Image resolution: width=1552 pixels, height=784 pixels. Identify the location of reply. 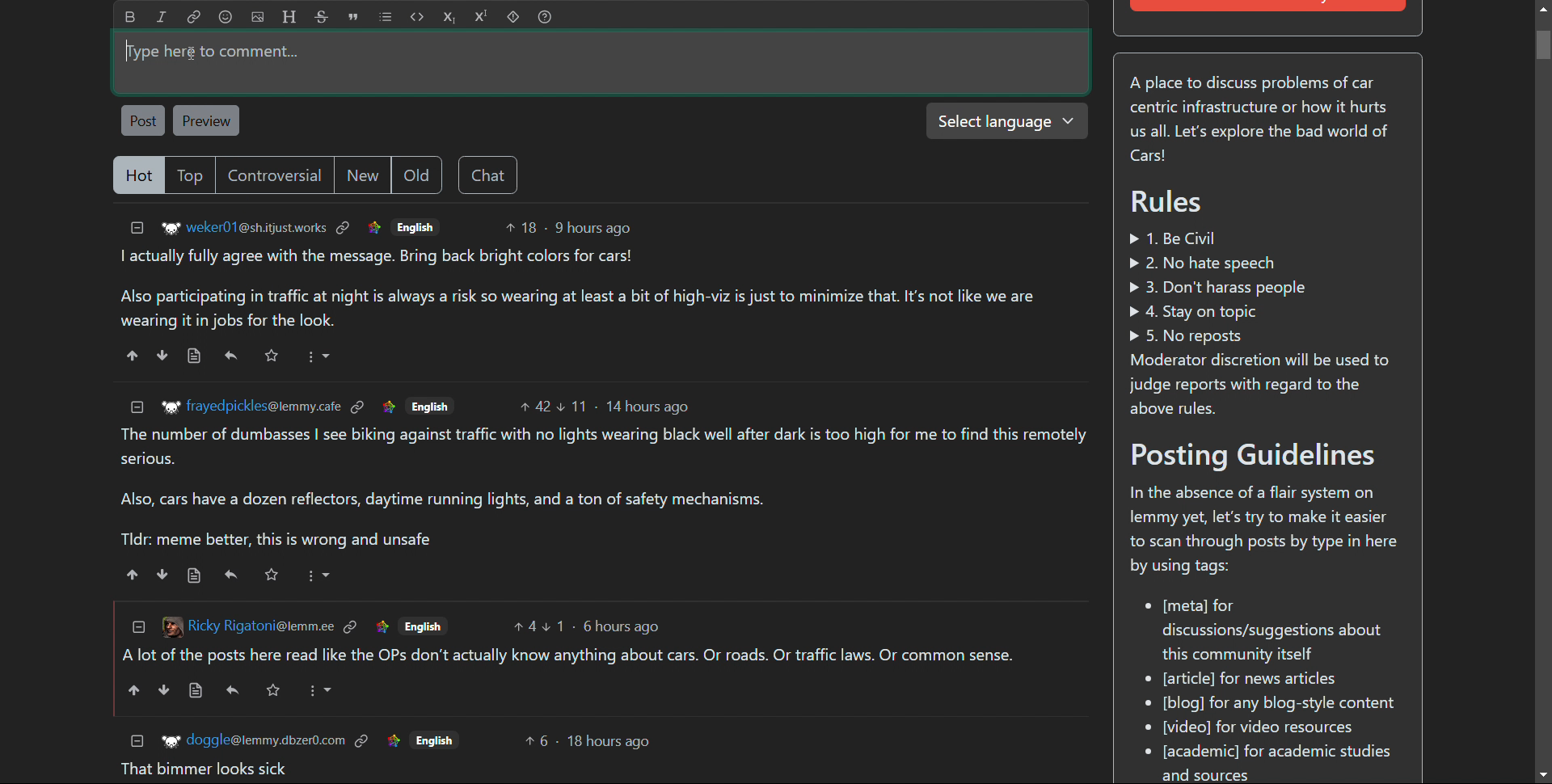
(231, 356).